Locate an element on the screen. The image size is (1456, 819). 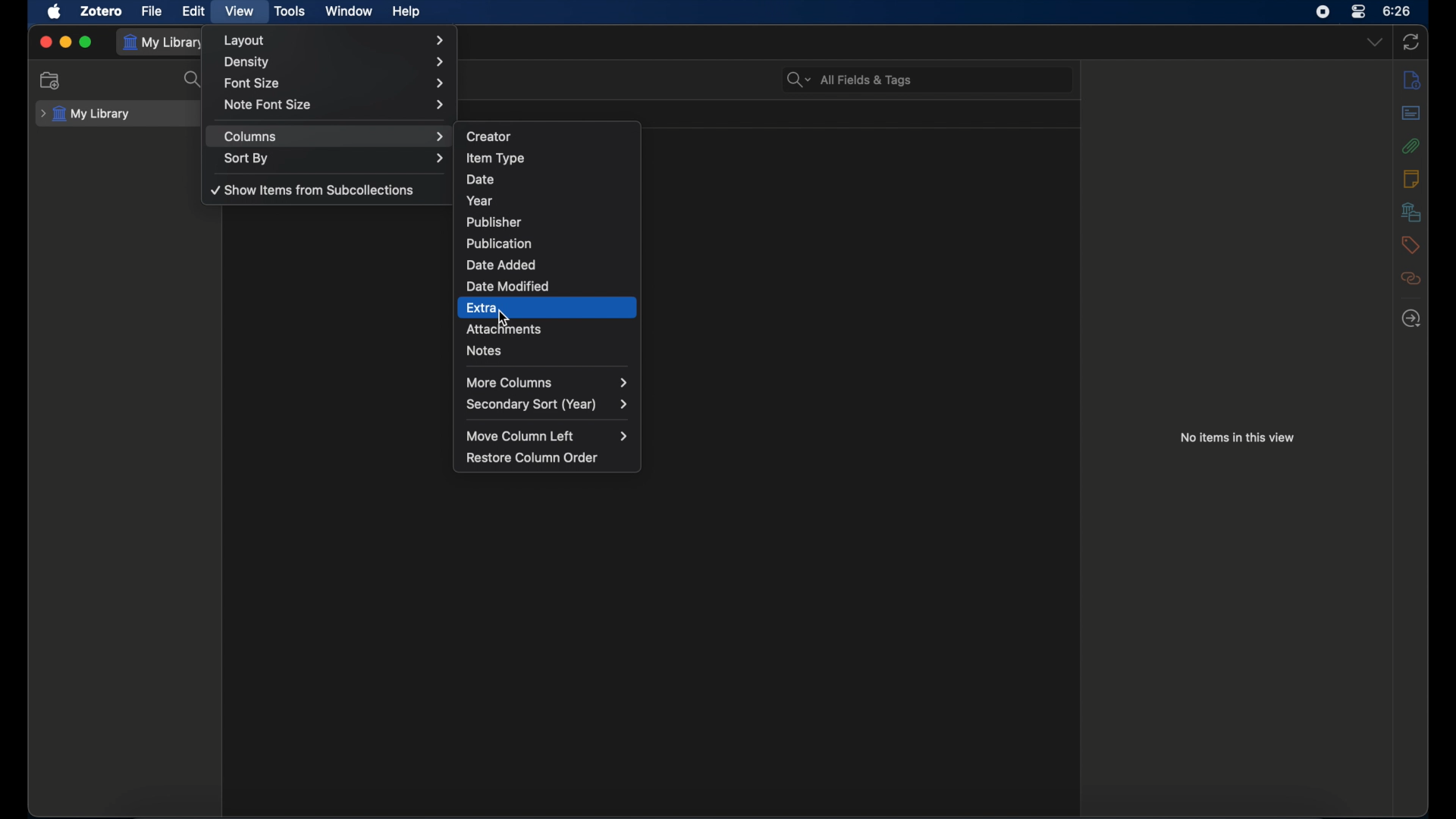
screen recorder is located at coordinates (1323, 11).